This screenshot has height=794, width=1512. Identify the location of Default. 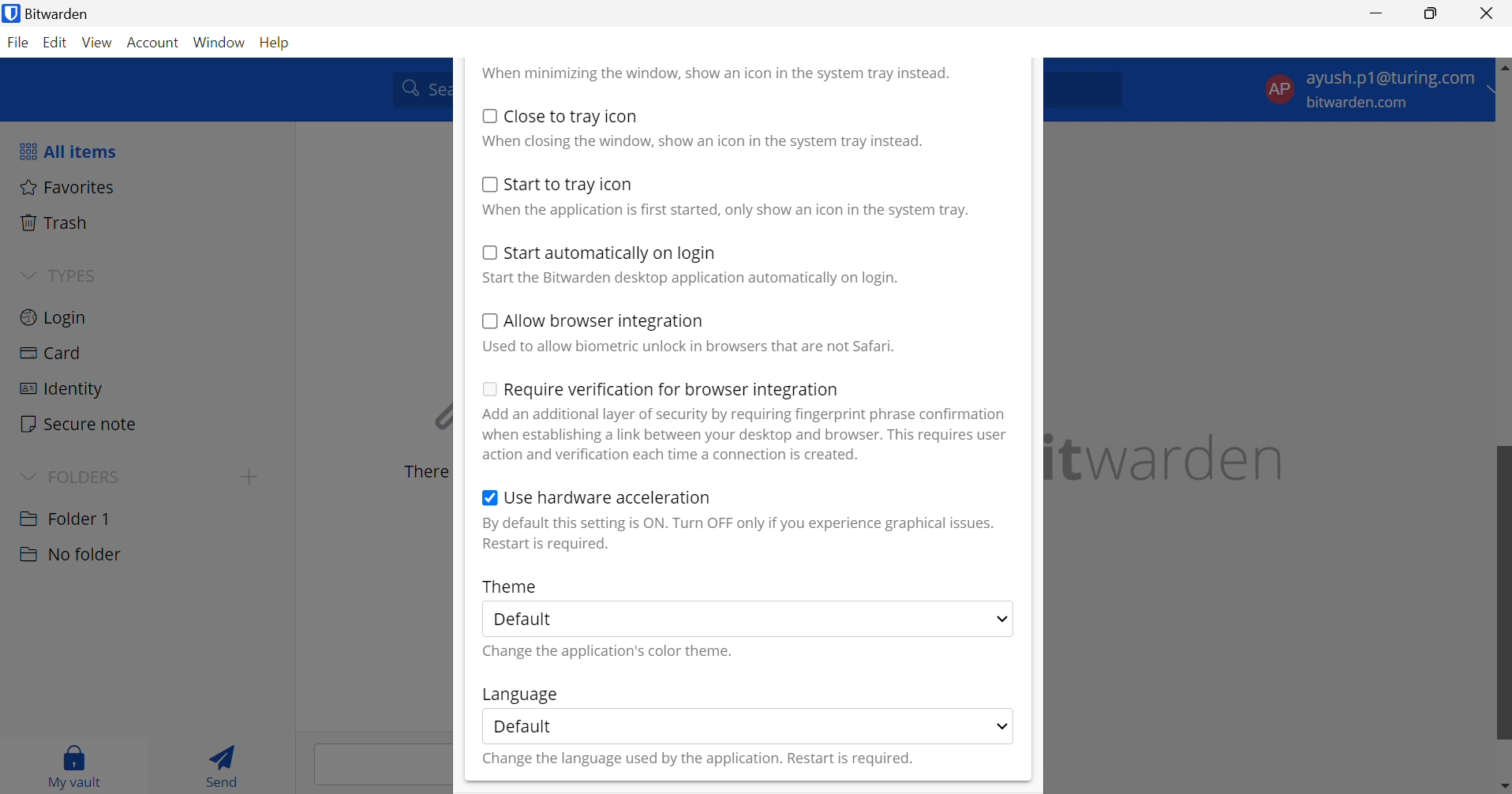
(523, 725).